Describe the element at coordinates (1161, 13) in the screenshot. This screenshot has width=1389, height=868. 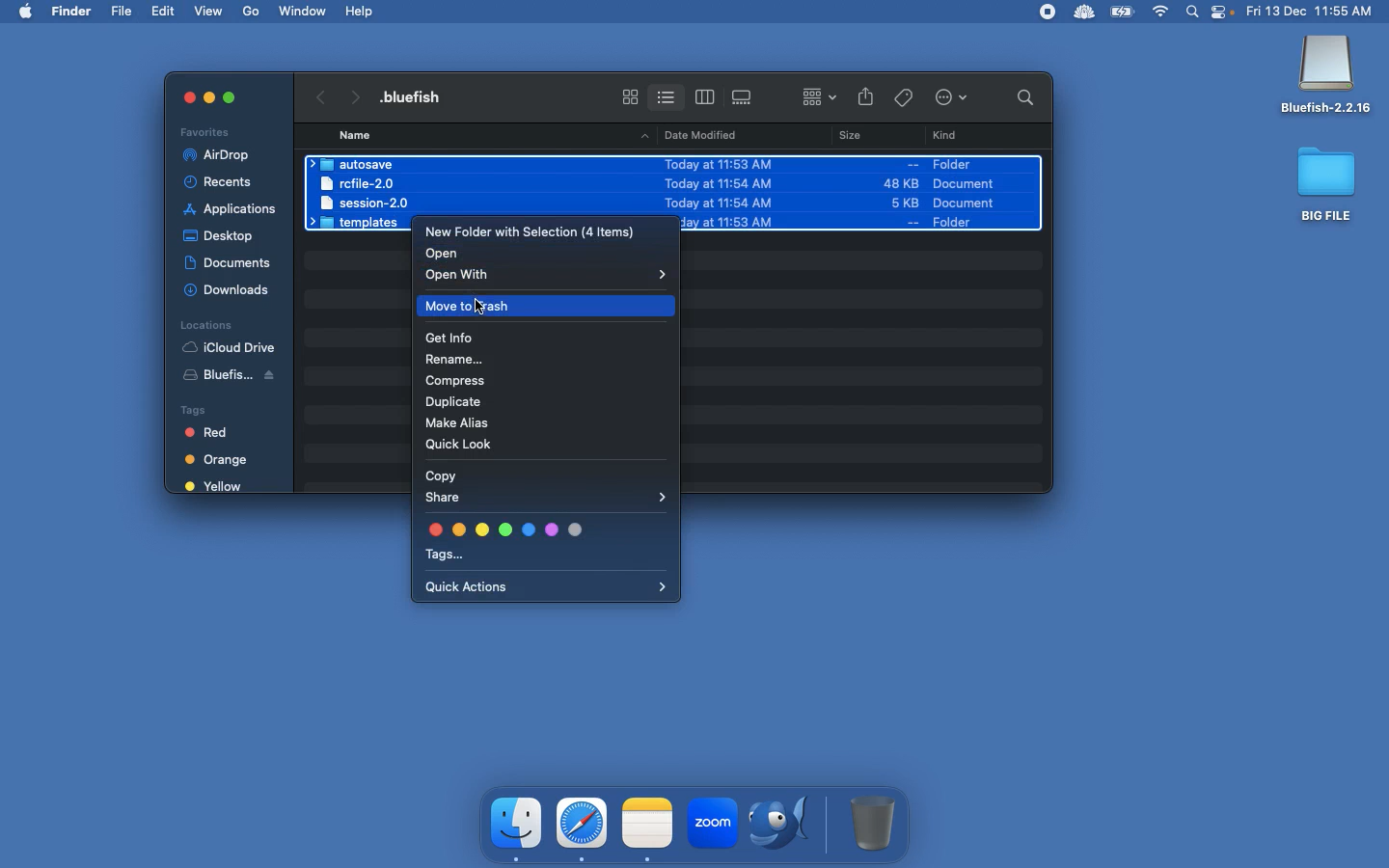
I see `Internet` at that location.